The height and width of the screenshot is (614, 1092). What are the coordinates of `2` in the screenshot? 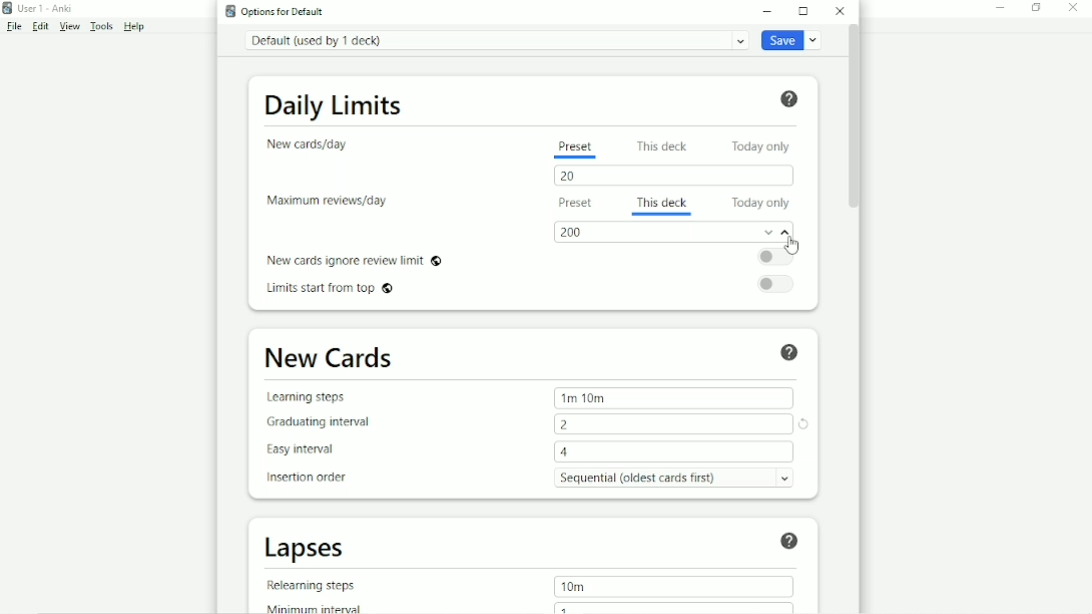 It's located at (566, 424).